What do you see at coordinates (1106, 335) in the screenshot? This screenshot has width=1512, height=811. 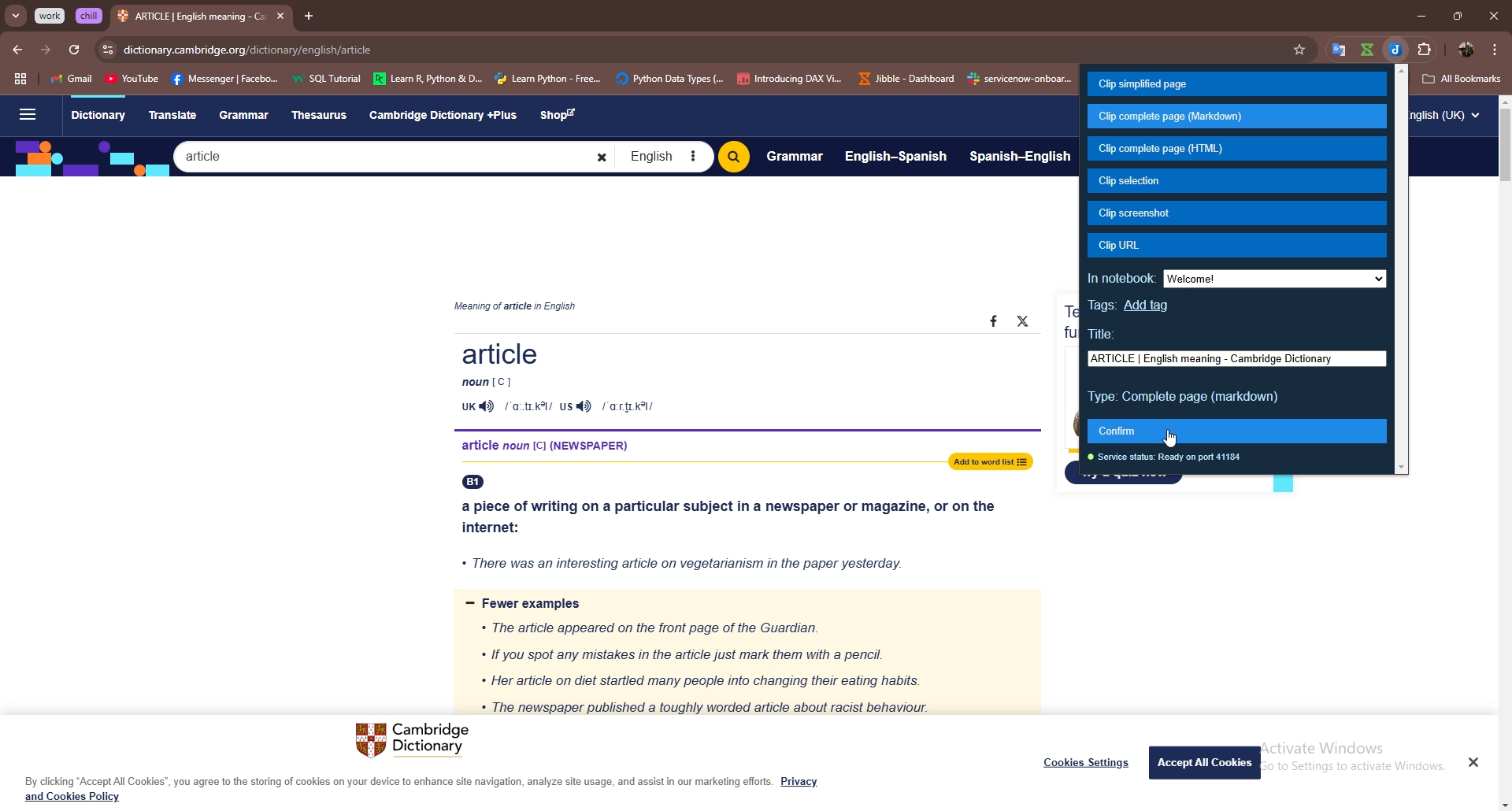 I see `title` at bounding box center [1106, 335].